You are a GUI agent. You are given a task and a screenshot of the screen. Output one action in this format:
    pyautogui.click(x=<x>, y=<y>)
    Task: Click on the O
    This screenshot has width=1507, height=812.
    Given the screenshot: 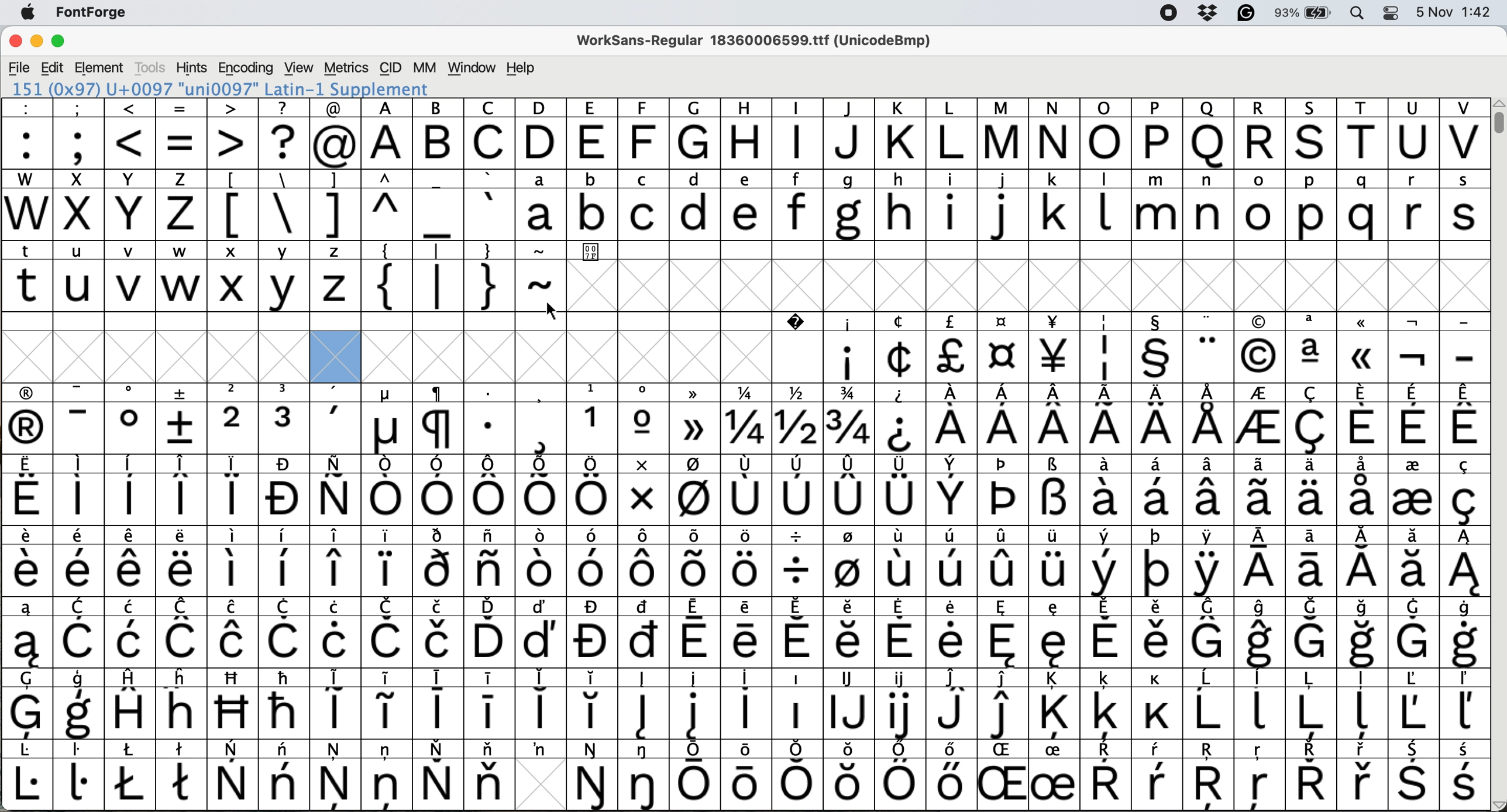 What is the action you would take?
    pyautogui.click(x=1105, y=133)
    